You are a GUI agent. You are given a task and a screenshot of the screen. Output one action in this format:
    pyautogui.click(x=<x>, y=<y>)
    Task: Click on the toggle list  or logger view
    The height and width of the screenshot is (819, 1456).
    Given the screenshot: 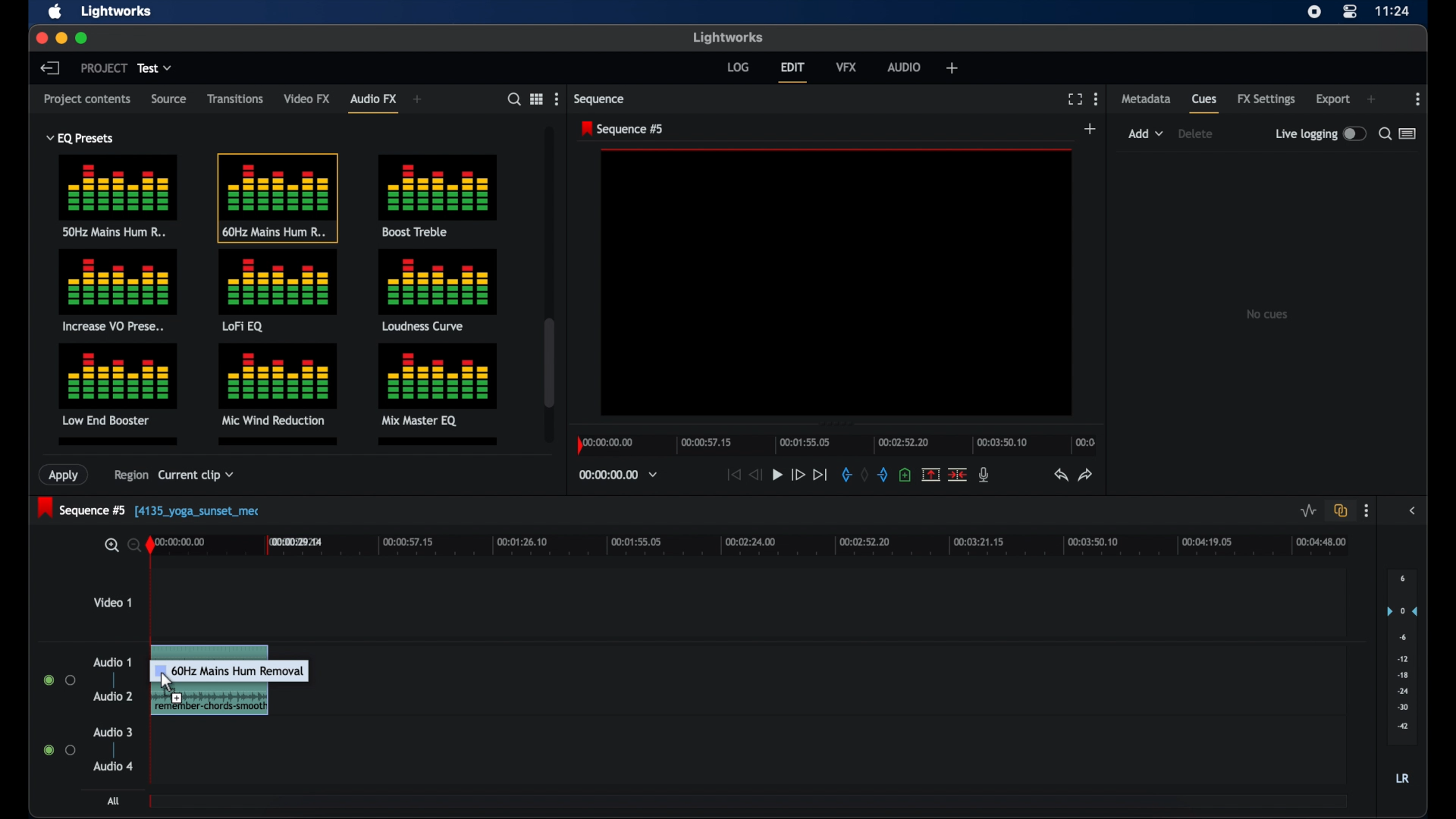 What is the action you would take?
    pyautogui.click(x=1407, y=133)
    